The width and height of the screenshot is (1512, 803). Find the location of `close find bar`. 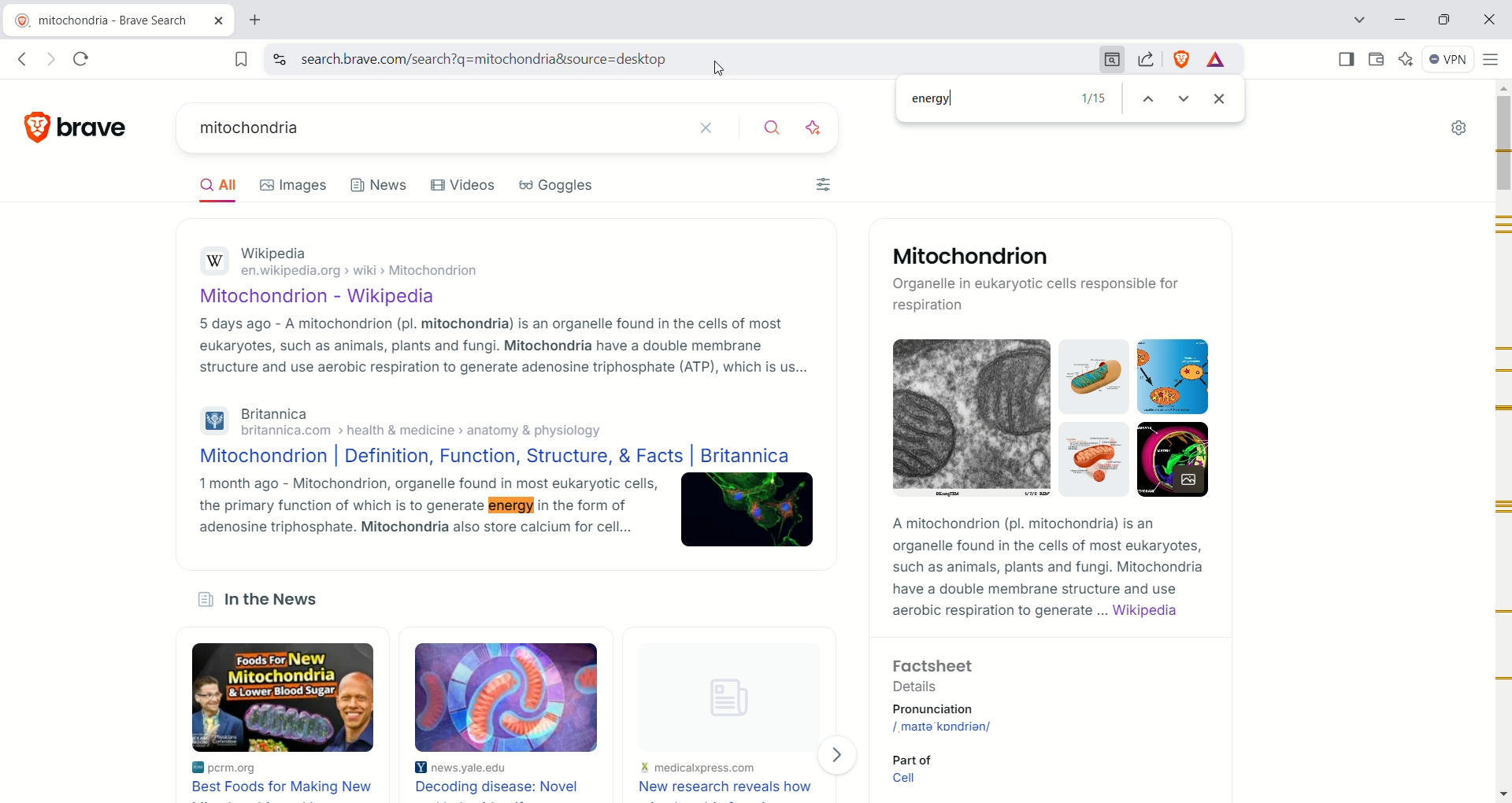

close find bar is located at coordinates (1223, 95).